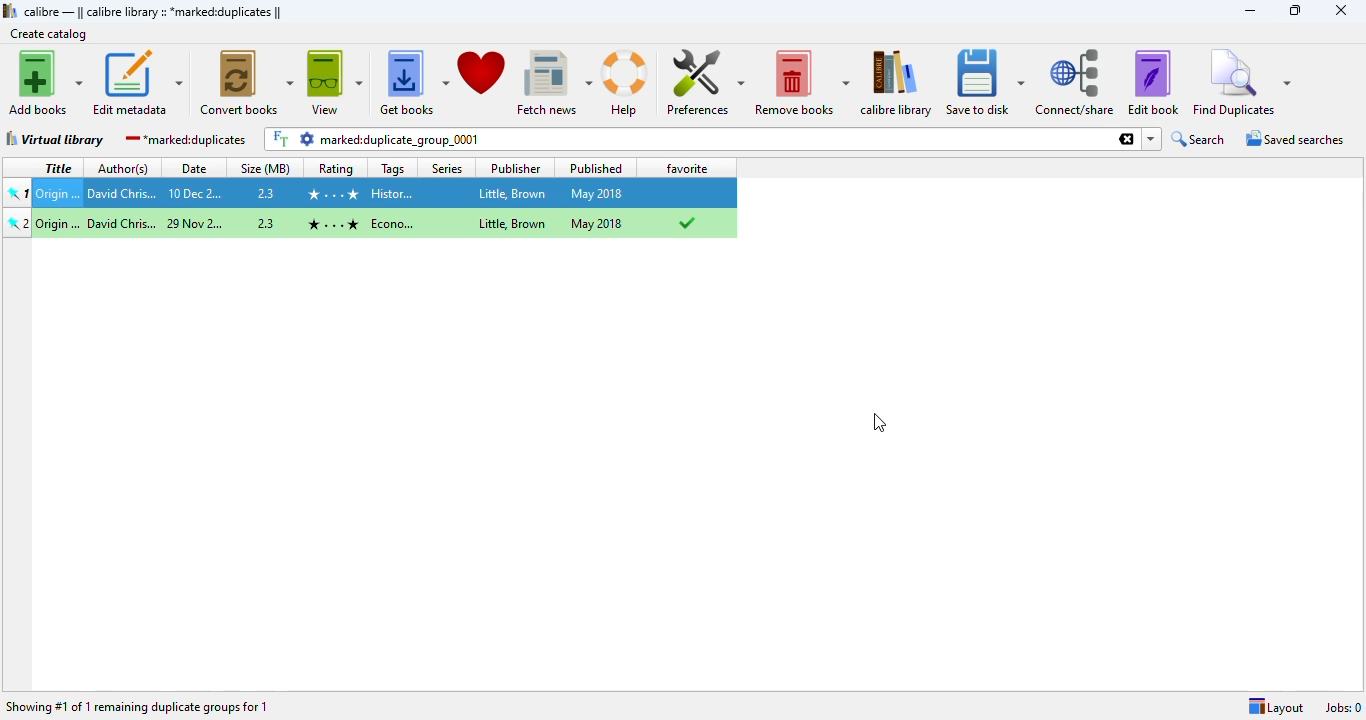 Image resolution: width=1366 pixels, height=720 pixels. Describe the element at coordinates (1282, 704) in the screenshot. I see `Layout` at that location.